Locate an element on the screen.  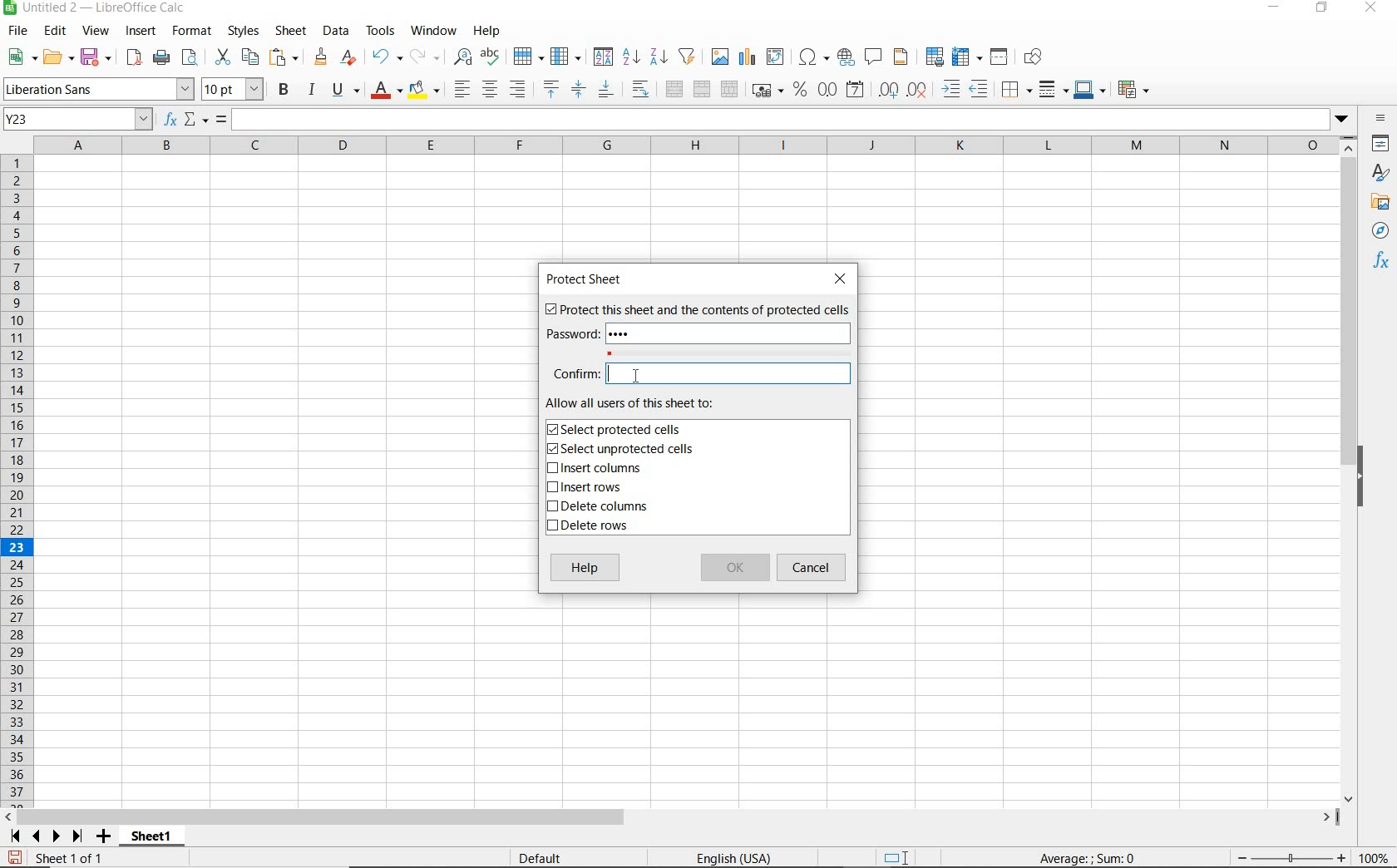
PASSWORD ADDED is located at coordinates (624, 334).